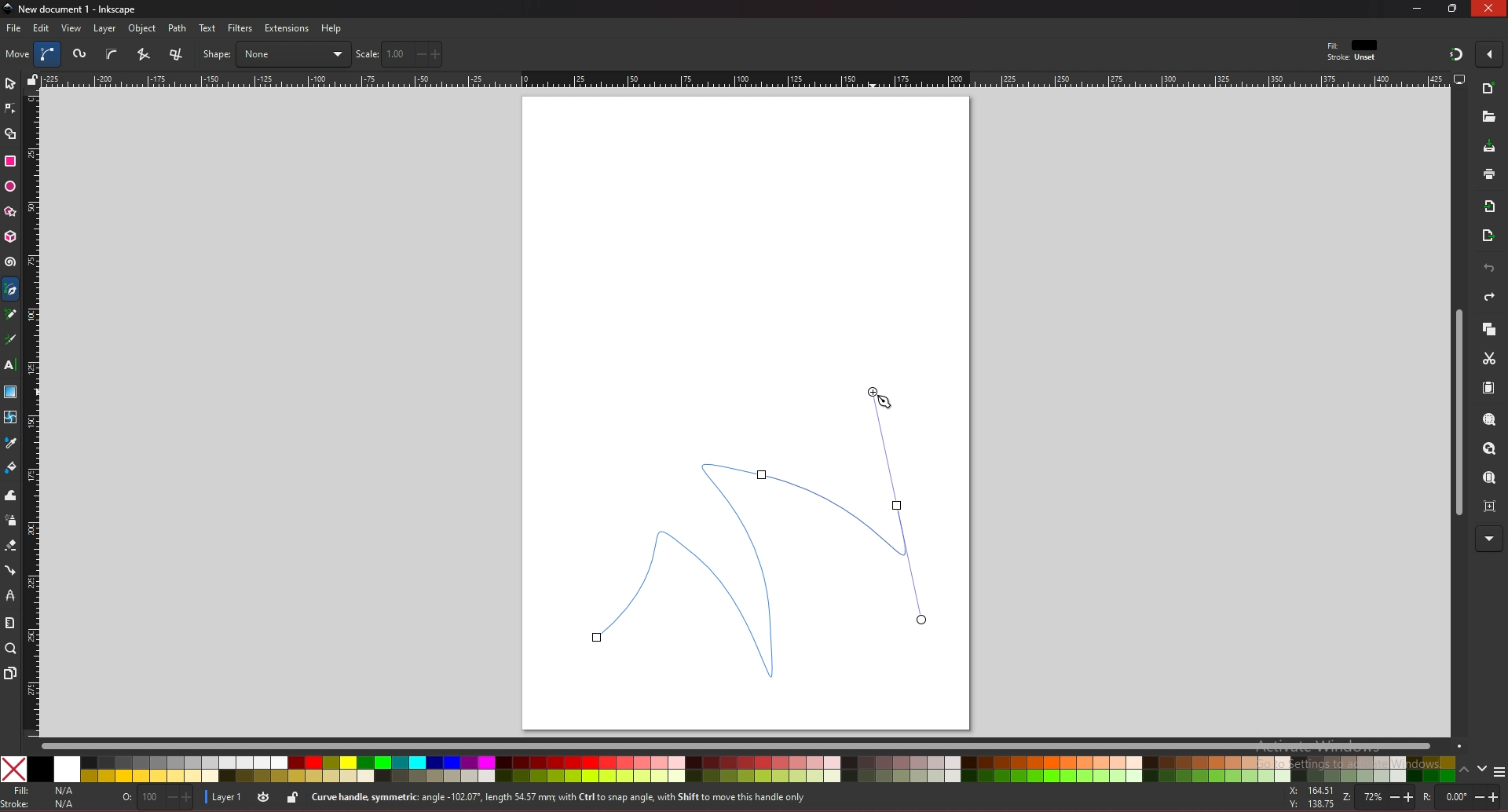  What do you see at coordinates (1456, 413) in the screenshot?
I see `scroll bar` at bounding box center [1456, 413].